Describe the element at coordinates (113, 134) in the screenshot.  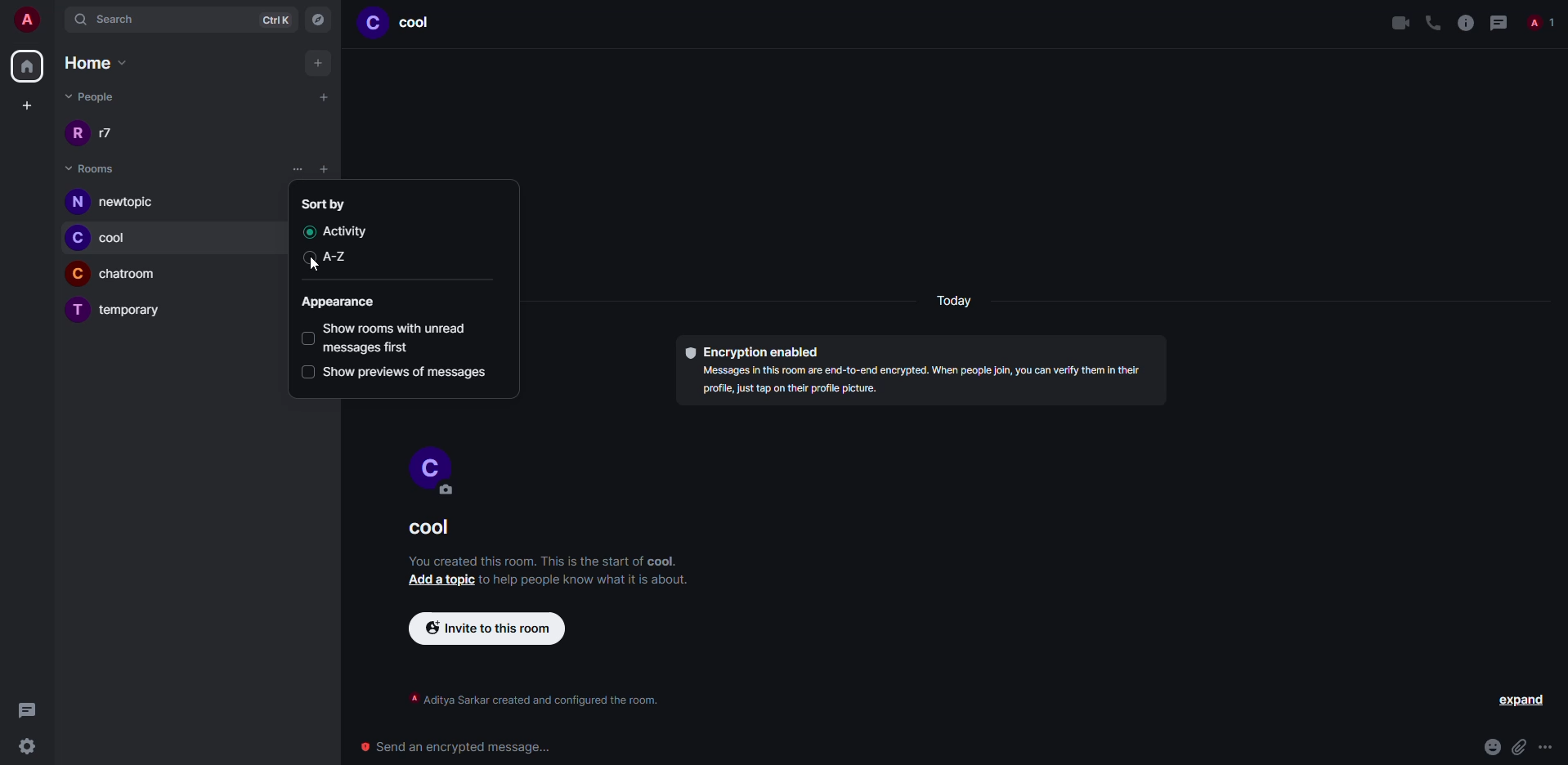
I see `people` at that location.